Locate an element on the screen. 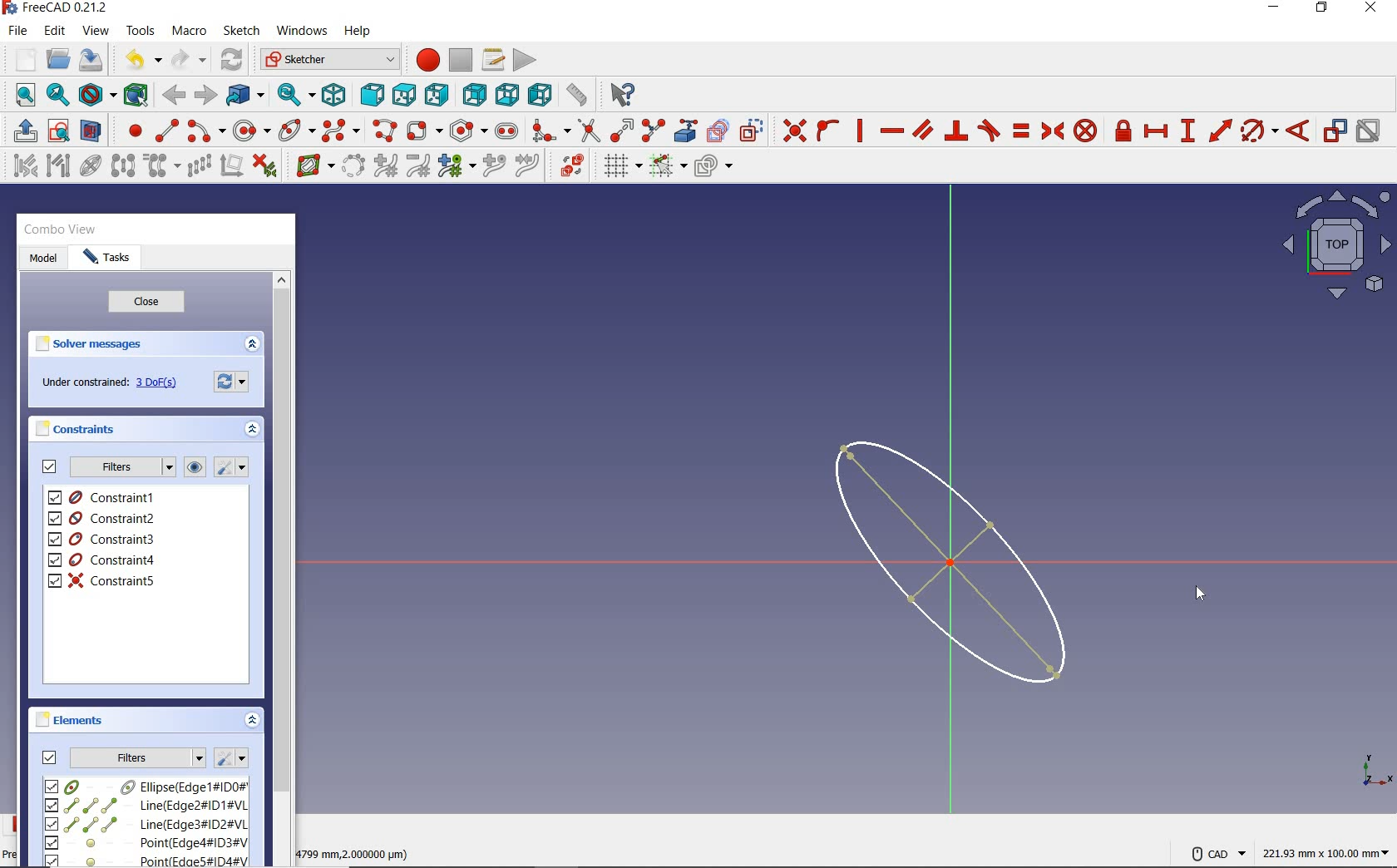 The image size is (1397, 868). macro recording is located at coordinates (422, 59).